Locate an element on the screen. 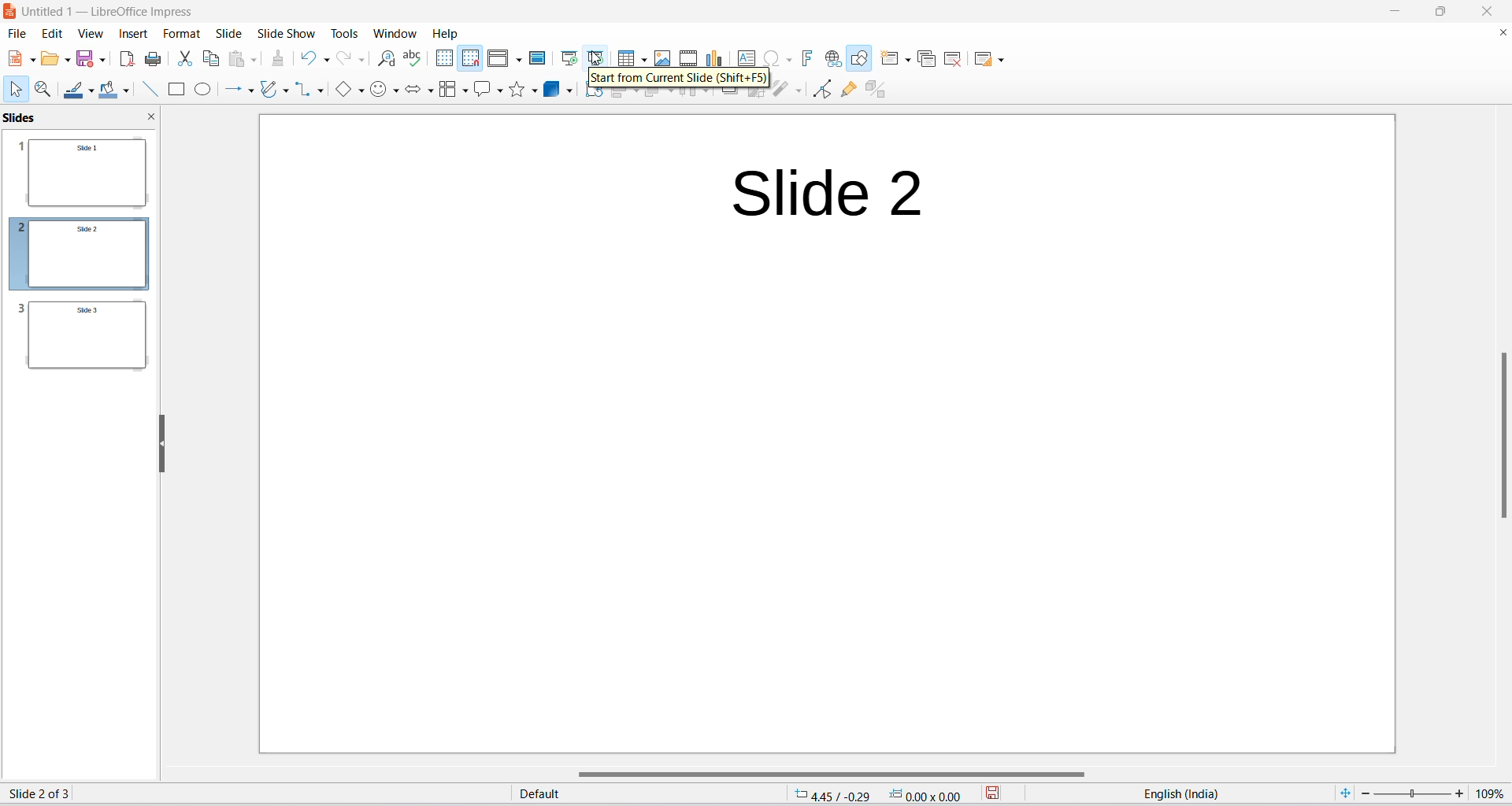 The height and width of the screenshot is (806, 1512). object distribute icons is located at coordinates (689, 98).